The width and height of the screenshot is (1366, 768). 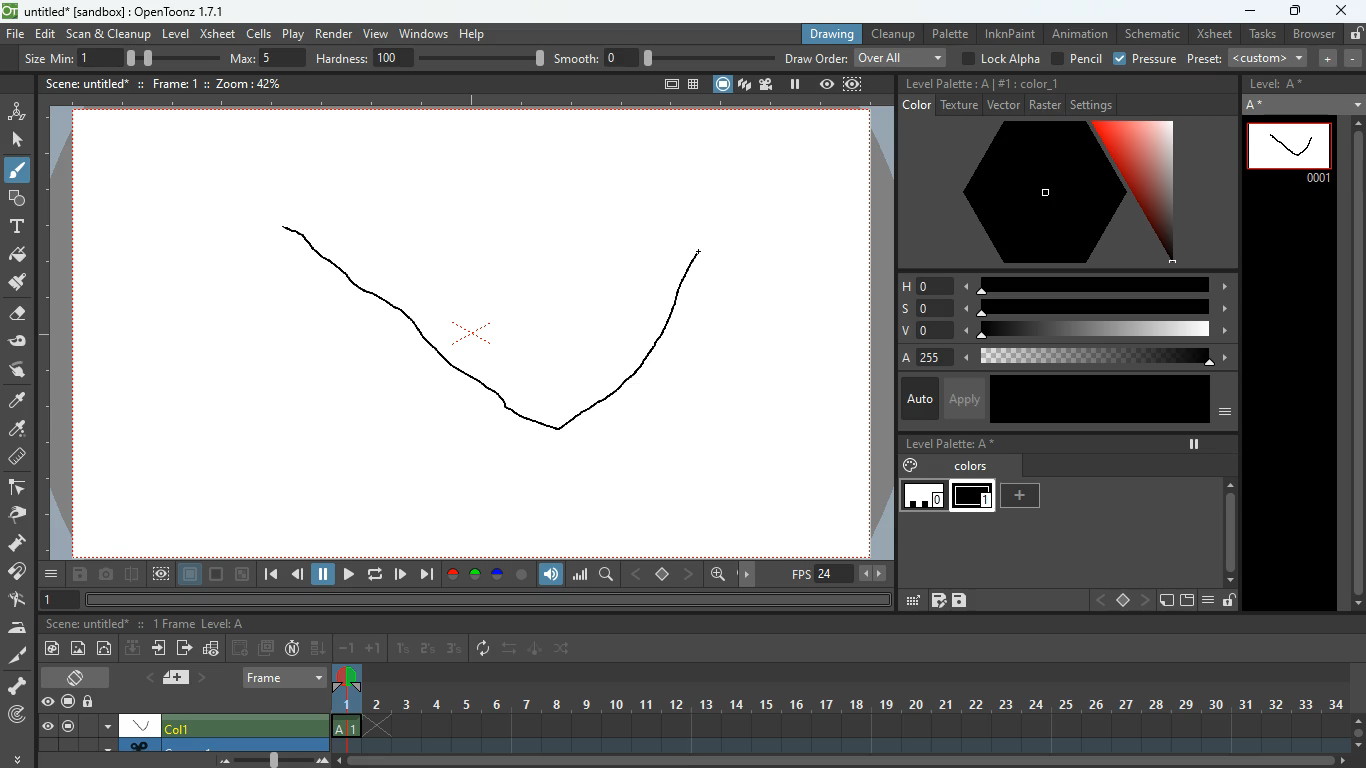 I want to click on paint, so click(x=50, y=650).